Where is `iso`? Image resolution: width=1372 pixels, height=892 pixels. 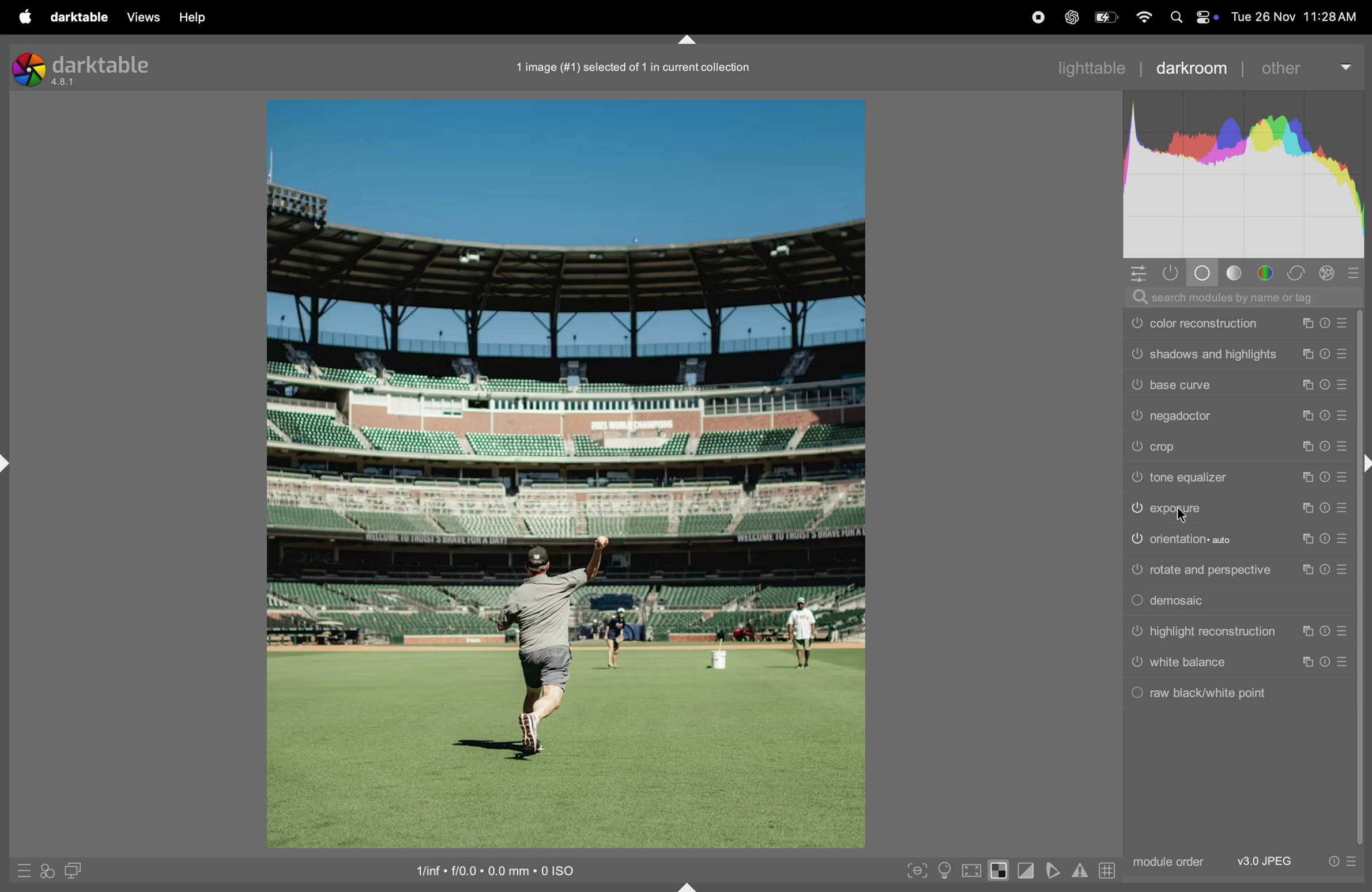 iso is located at coordinates (489, 869).